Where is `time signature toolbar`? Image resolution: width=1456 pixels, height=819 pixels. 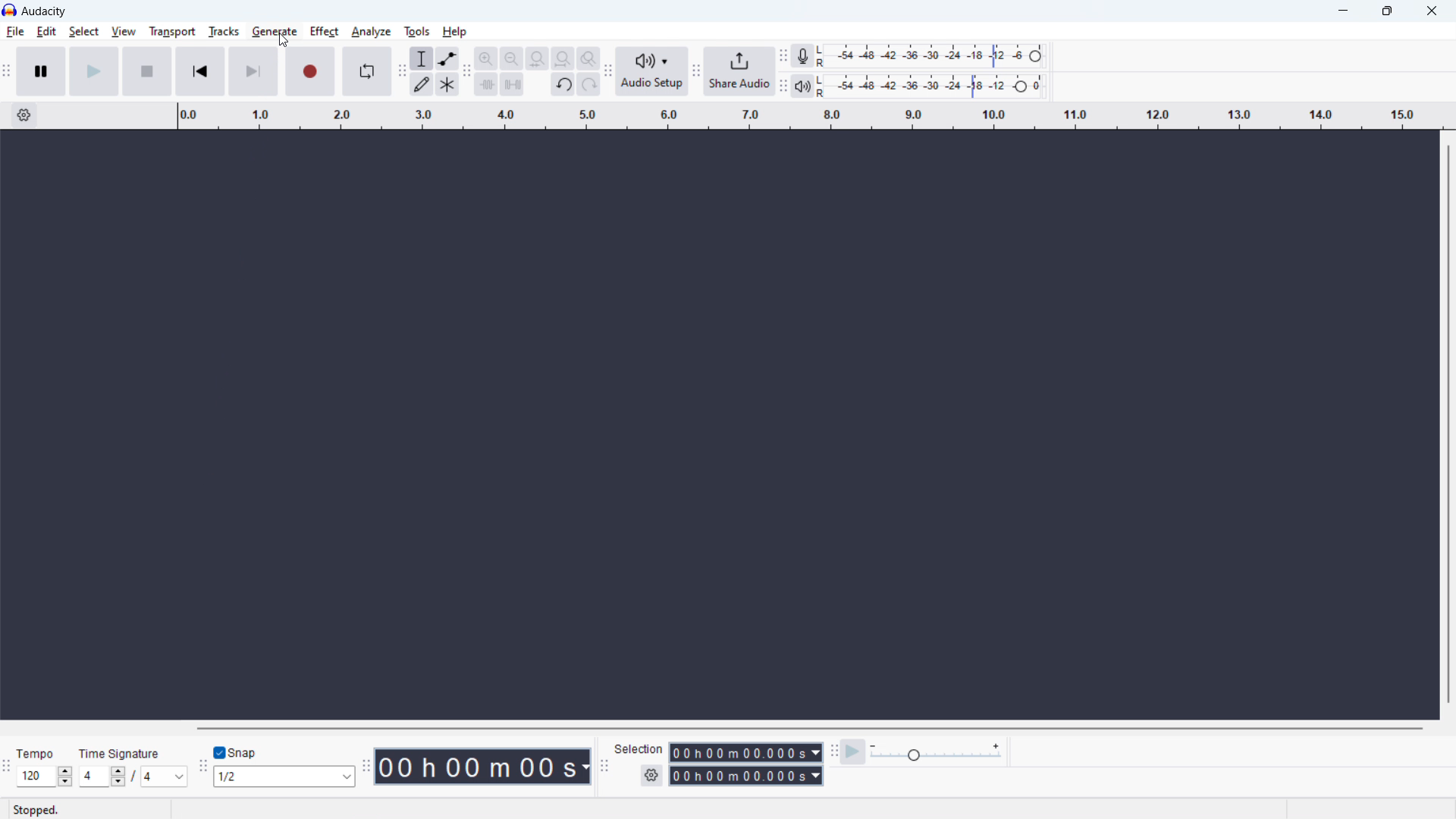 time signature toolbar is located at coordinates (8, 768).